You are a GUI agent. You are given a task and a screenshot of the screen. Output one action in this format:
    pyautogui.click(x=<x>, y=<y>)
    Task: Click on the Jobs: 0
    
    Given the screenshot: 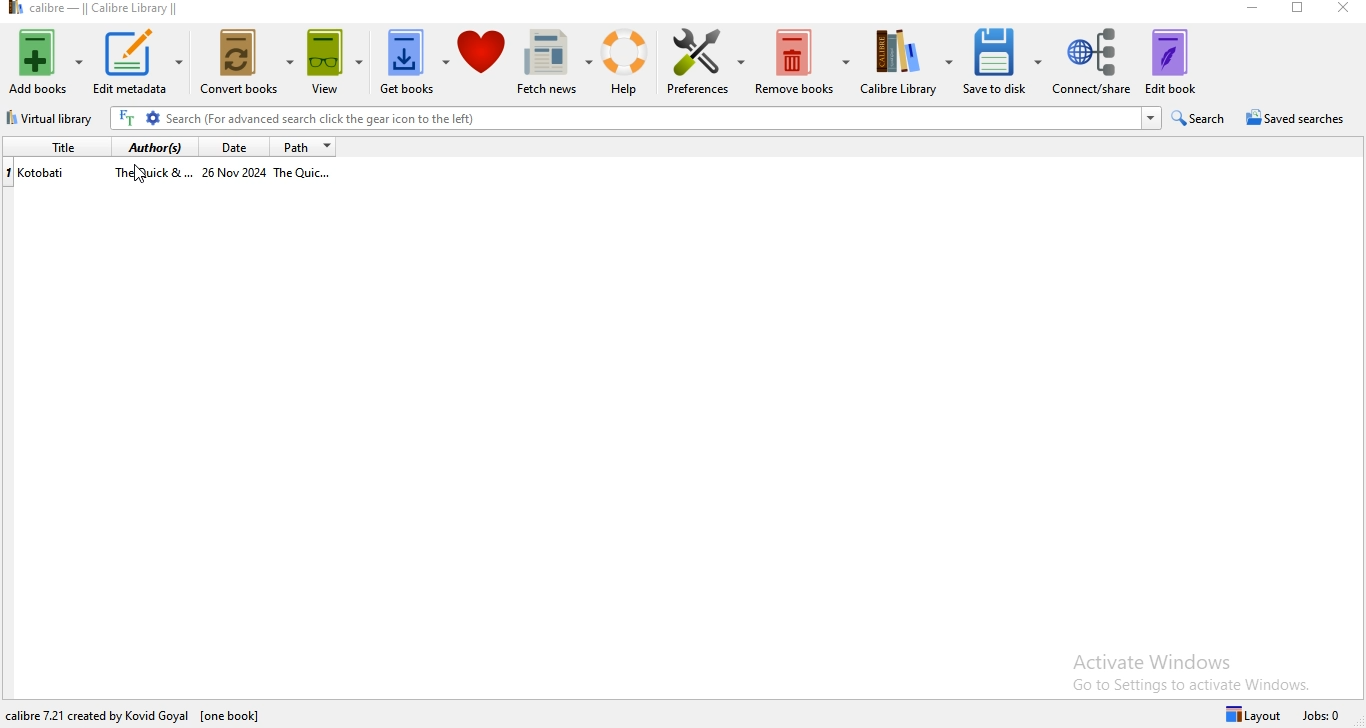 What is the action you would take?
    pyautogui.click(x=1324, y=714)
    